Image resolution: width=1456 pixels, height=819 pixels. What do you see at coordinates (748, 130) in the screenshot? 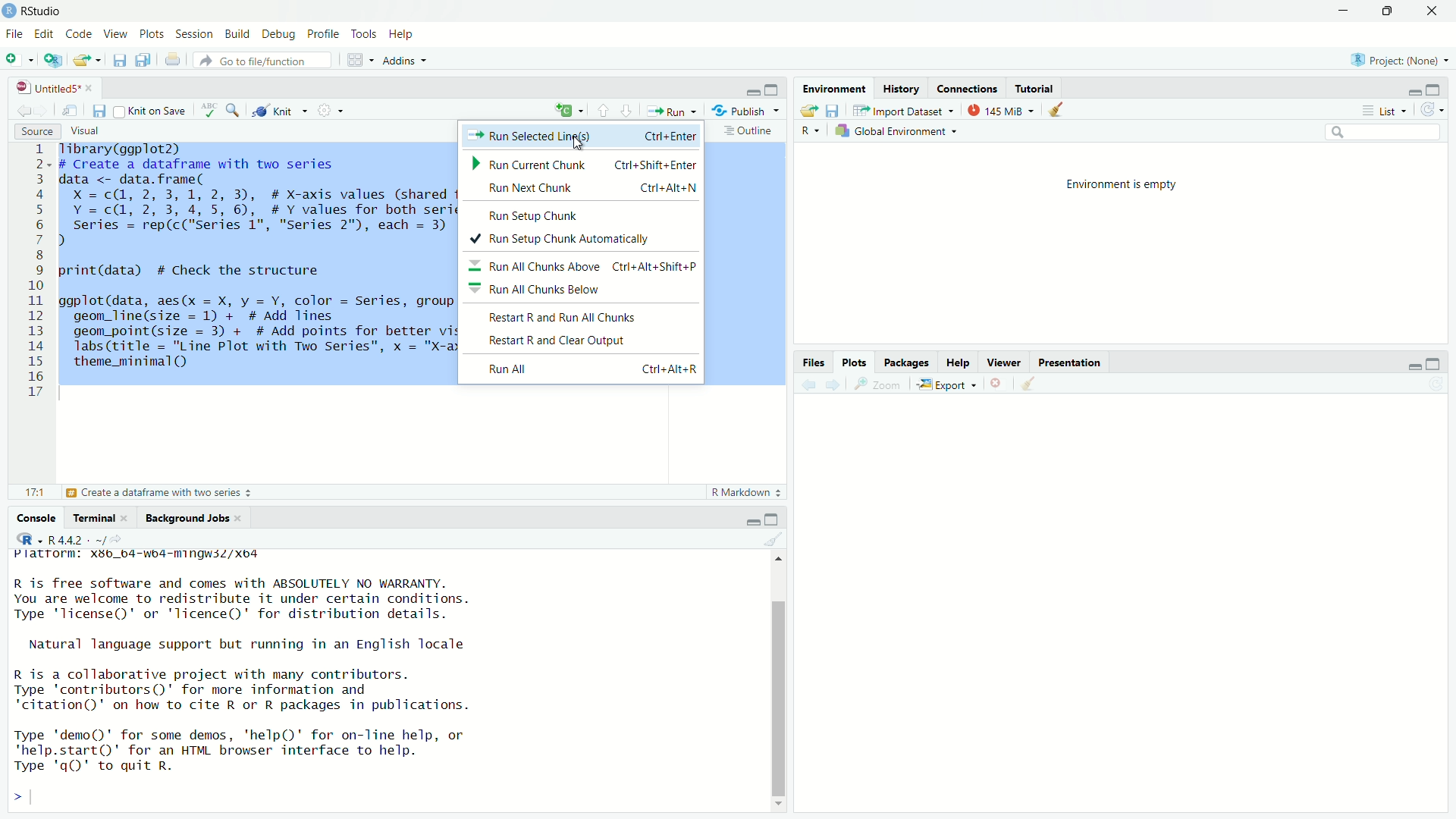
I see `Outline` at bounding box center [748, 130].